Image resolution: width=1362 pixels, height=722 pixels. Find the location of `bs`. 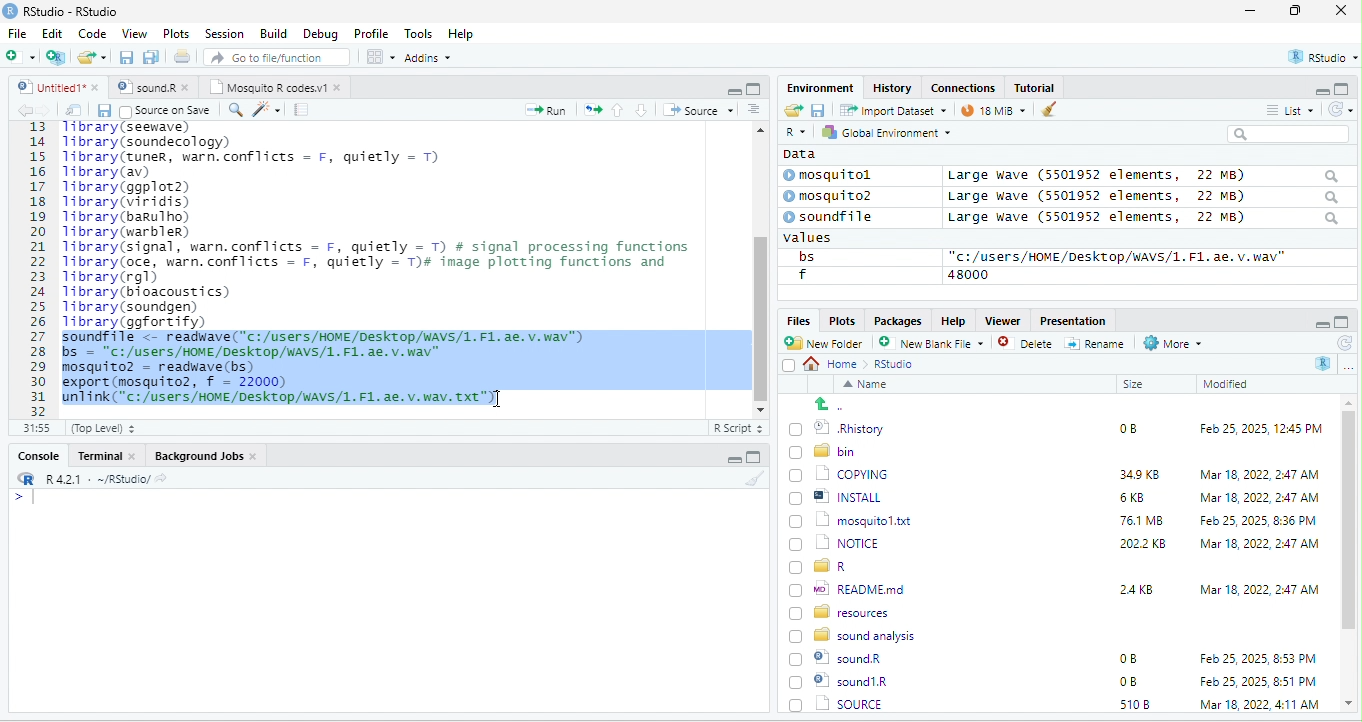

bs is located at coordinates (803, 256).